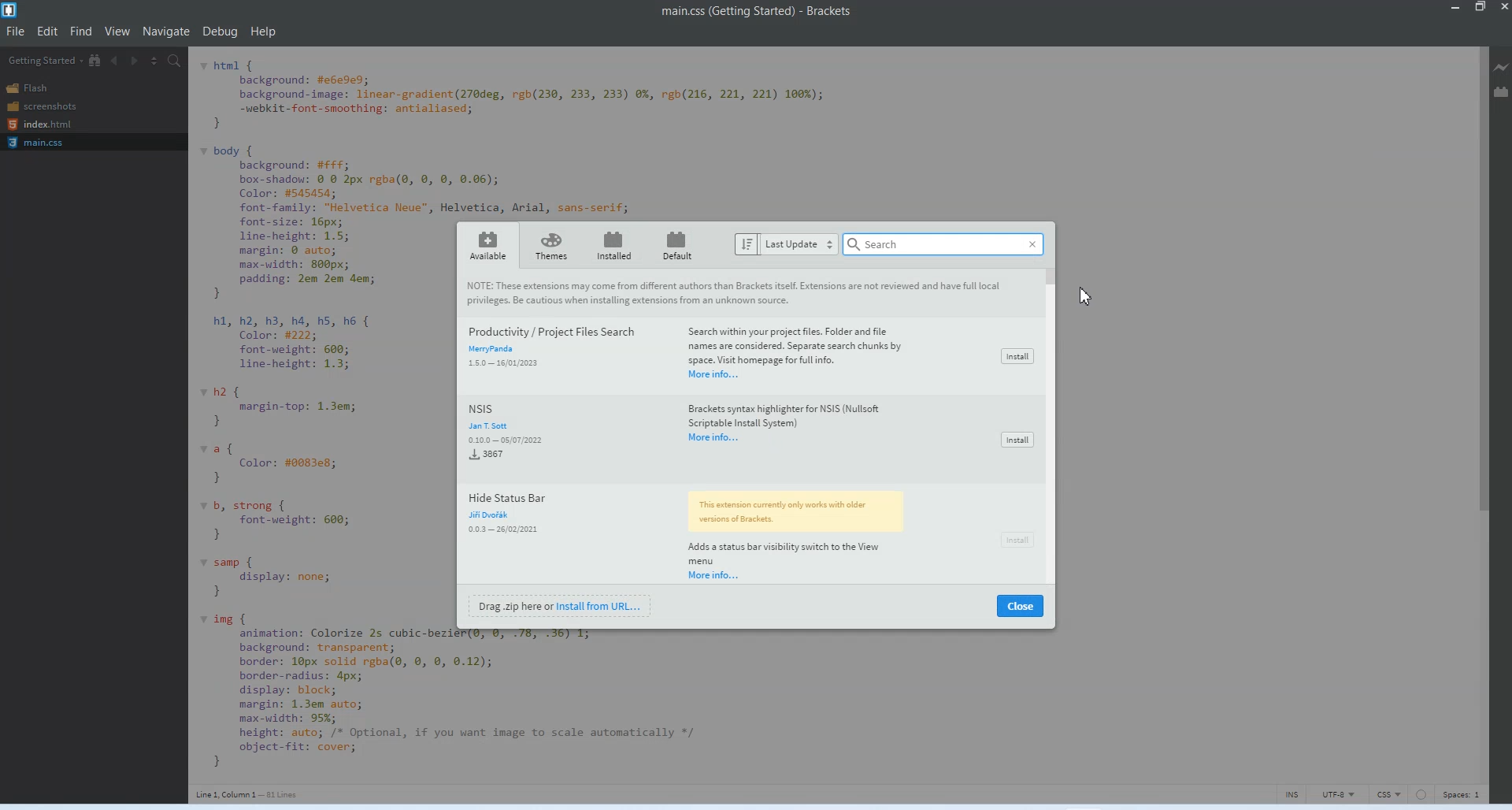  Describe the element at coordinates (296, 422) in the screenshot. I see `code` at that location.